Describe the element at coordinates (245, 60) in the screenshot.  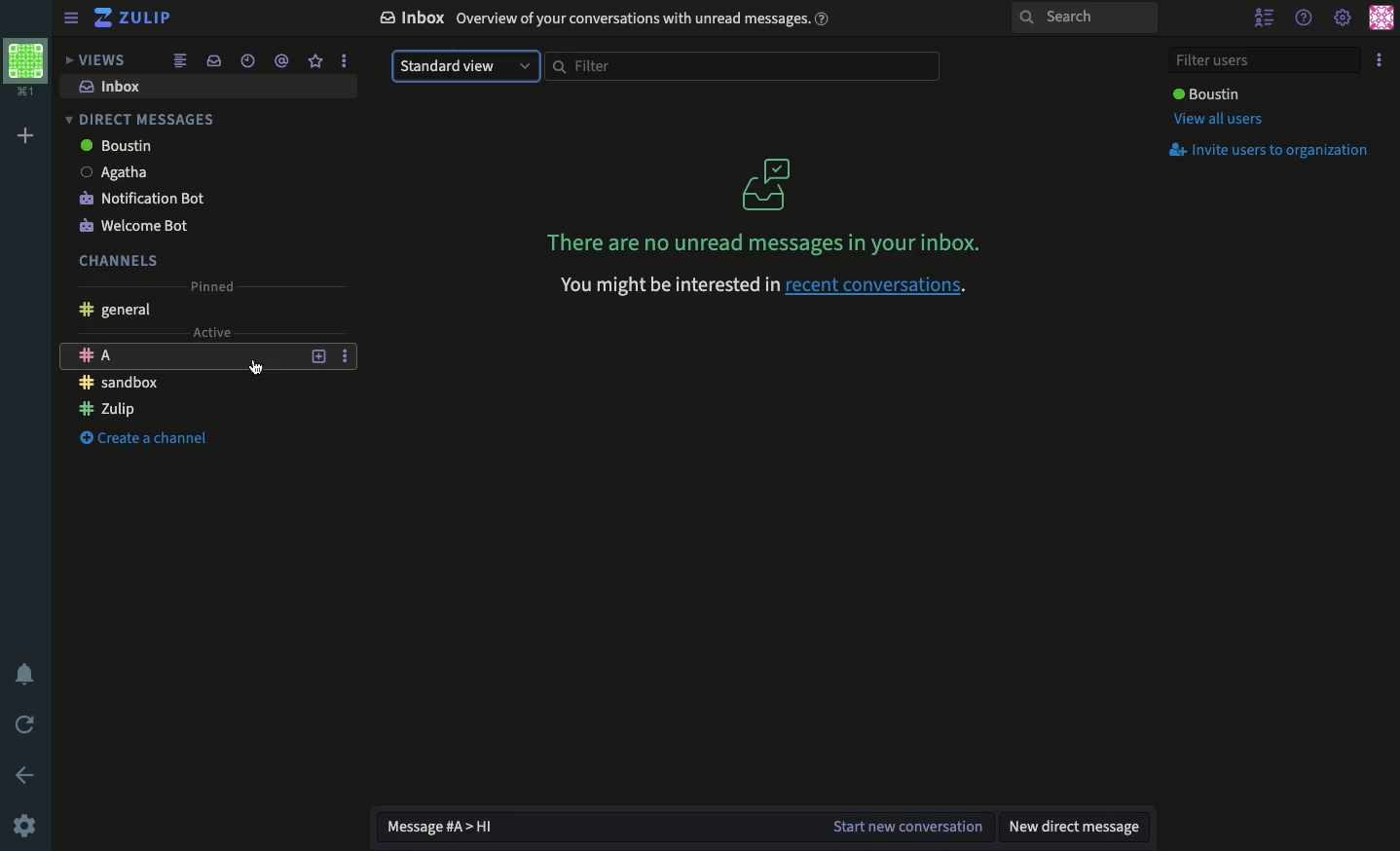
I see `Time` at that location.